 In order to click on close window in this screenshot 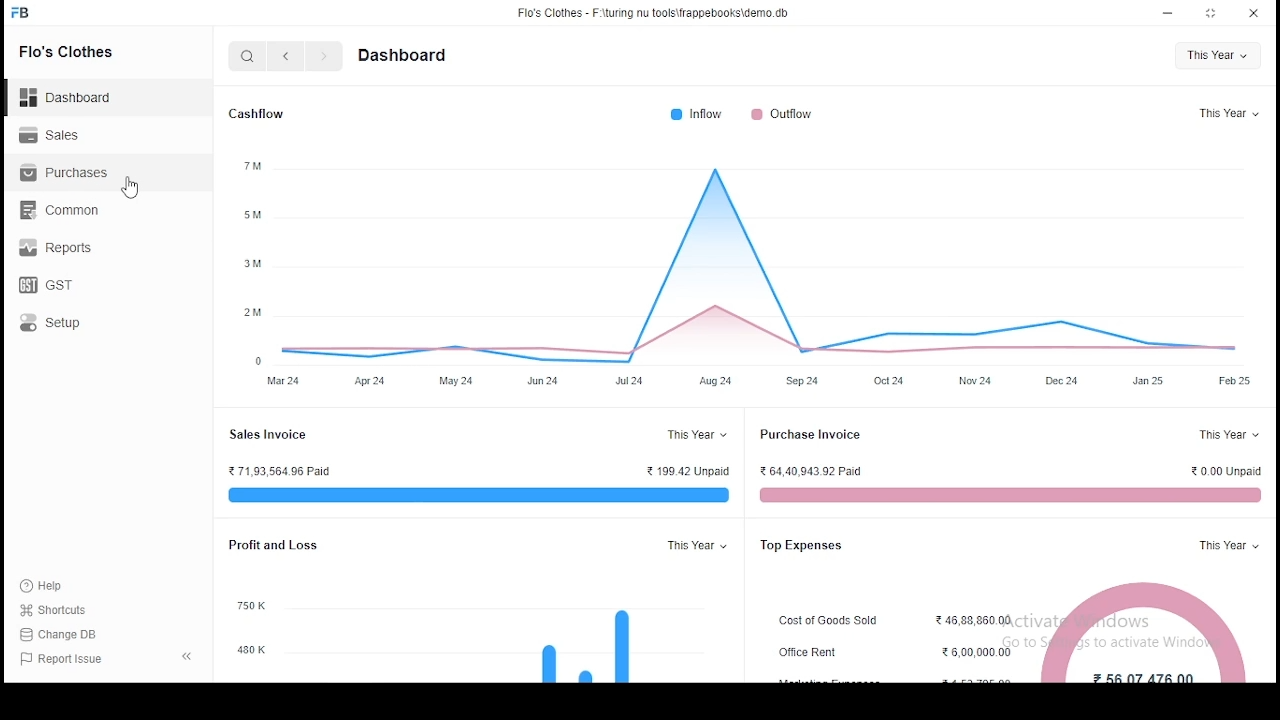, I will do `click(1254, 11)`.